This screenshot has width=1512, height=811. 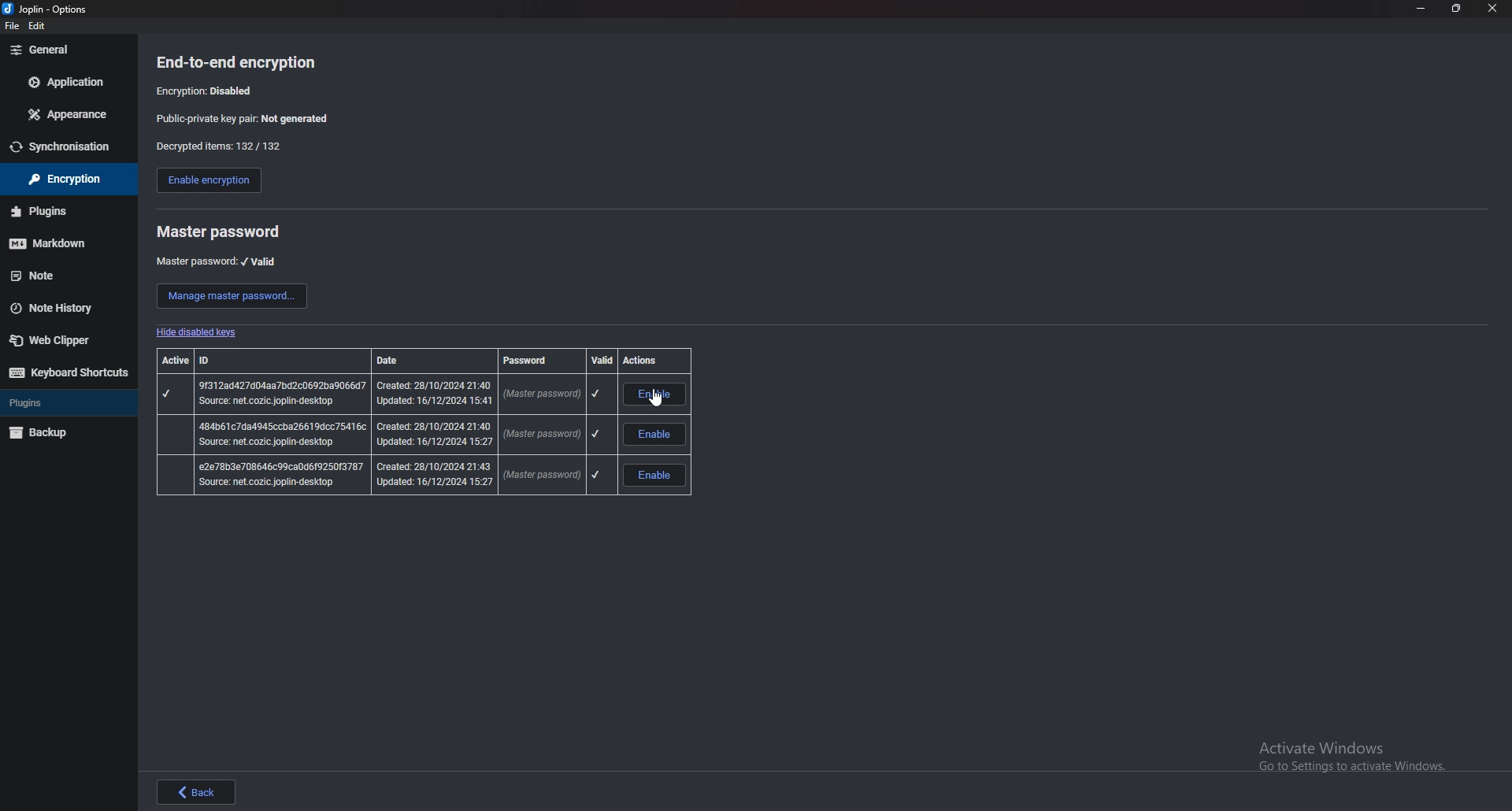 I want to click on id, so click(x=235, y=360).